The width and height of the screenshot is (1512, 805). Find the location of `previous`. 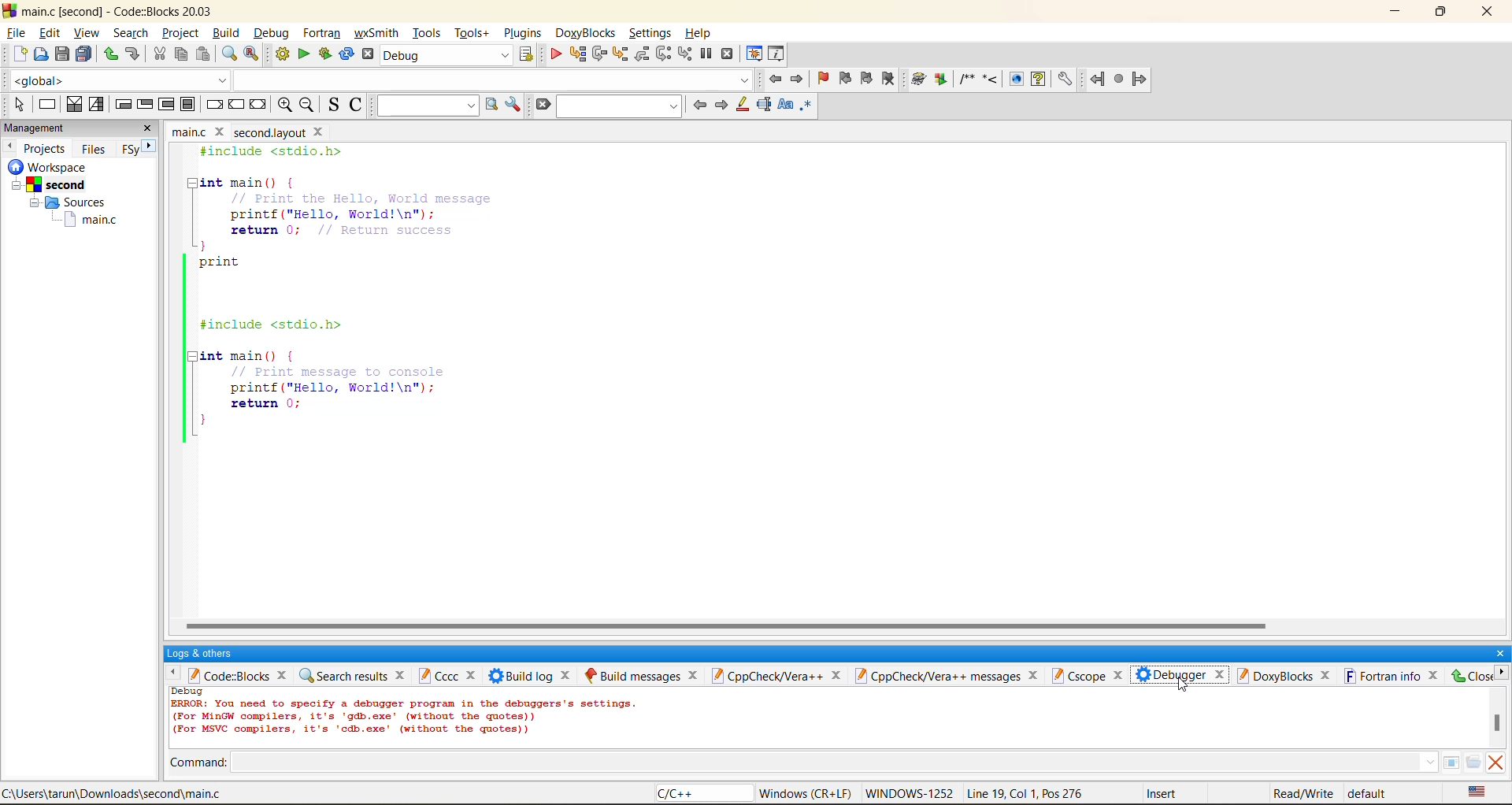

previous is located at coordinates (698, 105).